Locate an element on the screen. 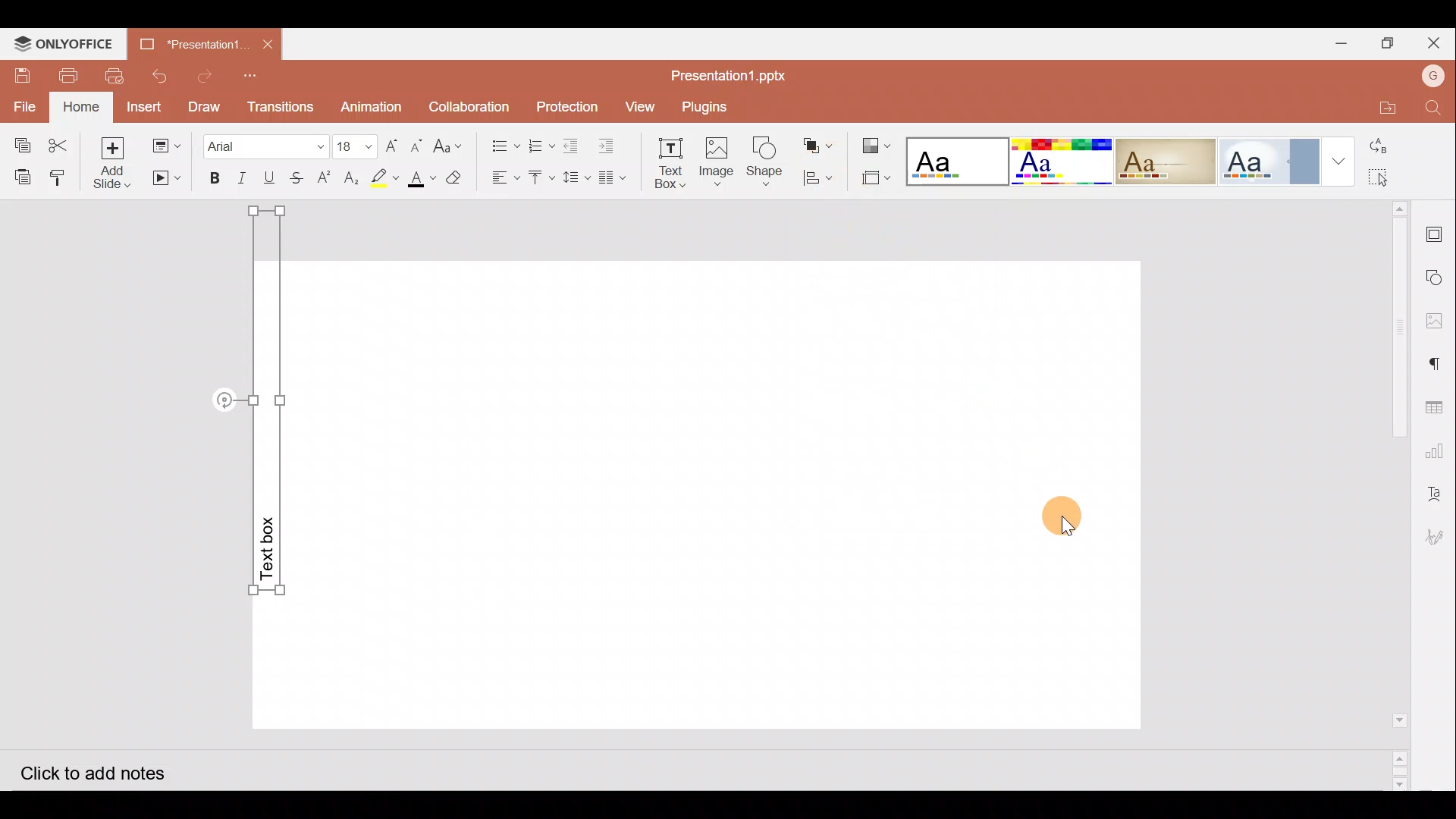  Font name is located at coordinates (265, 144).